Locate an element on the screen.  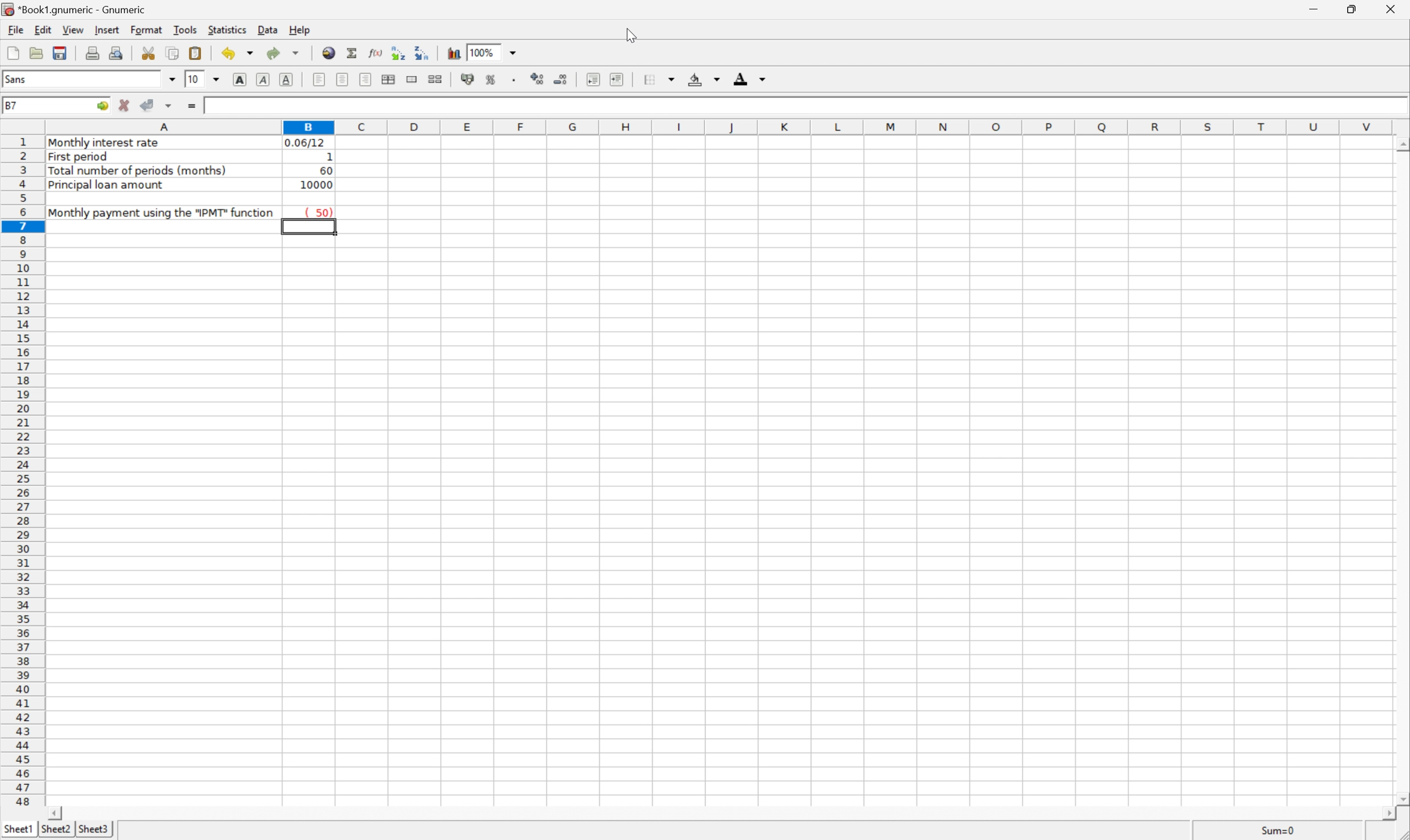
Cursor is located at coordinates (629, 34).